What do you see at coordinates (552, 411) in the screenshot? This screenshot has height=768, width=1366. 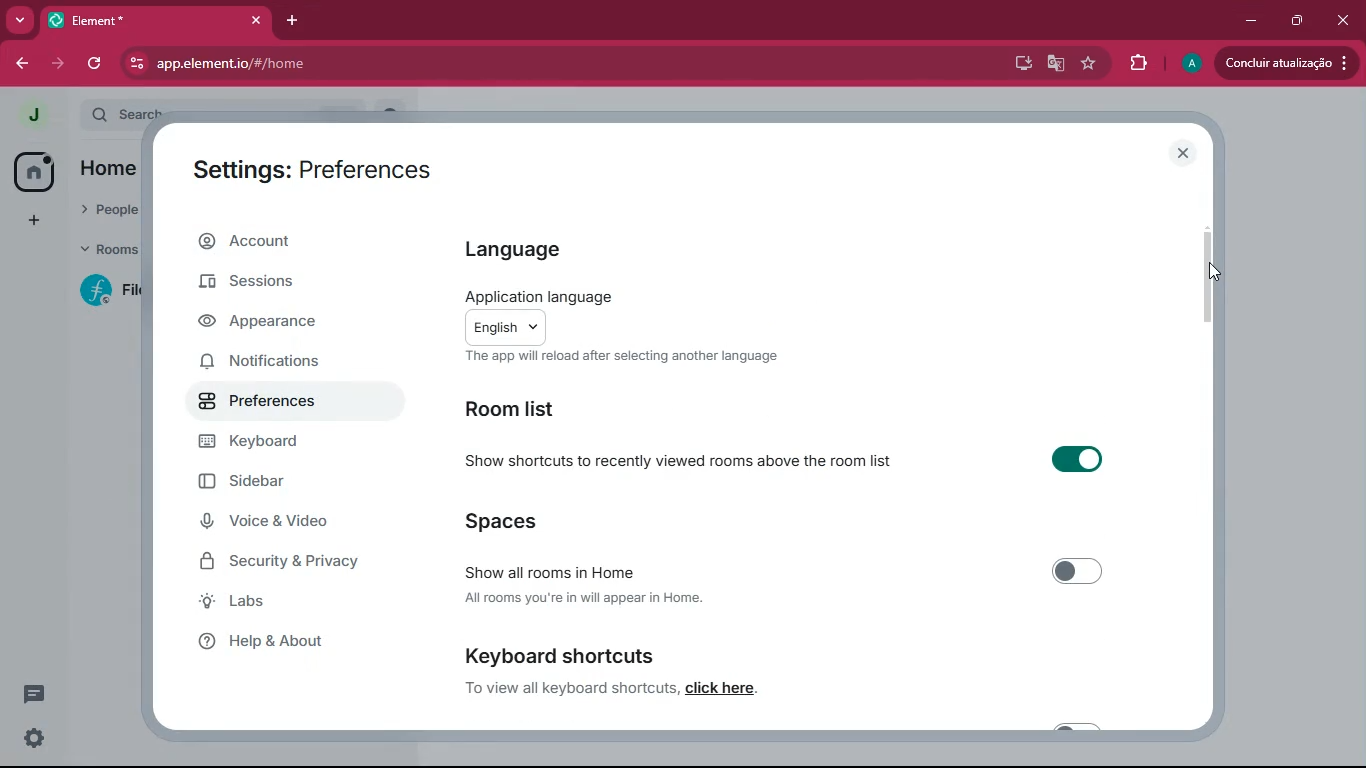 I see `room list` at bounding box center [552, 411].